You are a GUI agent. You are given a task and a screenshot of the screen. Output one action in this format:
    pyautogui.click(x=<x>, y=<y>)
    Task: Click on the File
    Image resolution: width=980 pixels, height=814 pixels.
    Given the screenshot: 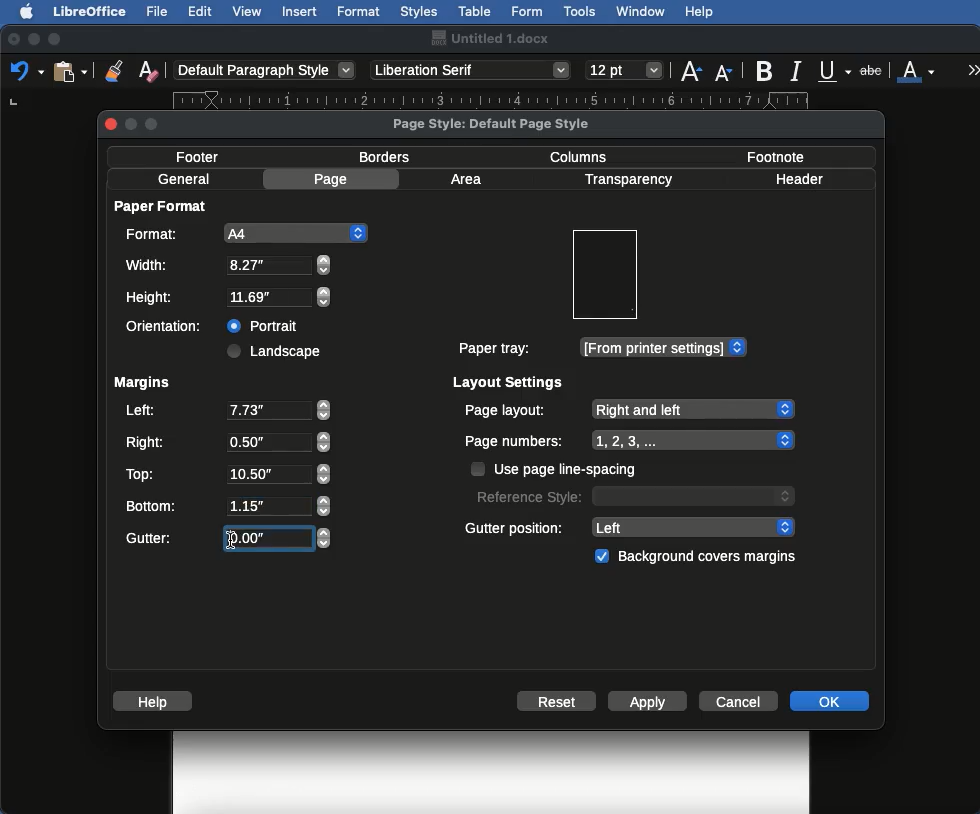 What is the action you would take?
    pyautogui.click(x=159, y=11)
    